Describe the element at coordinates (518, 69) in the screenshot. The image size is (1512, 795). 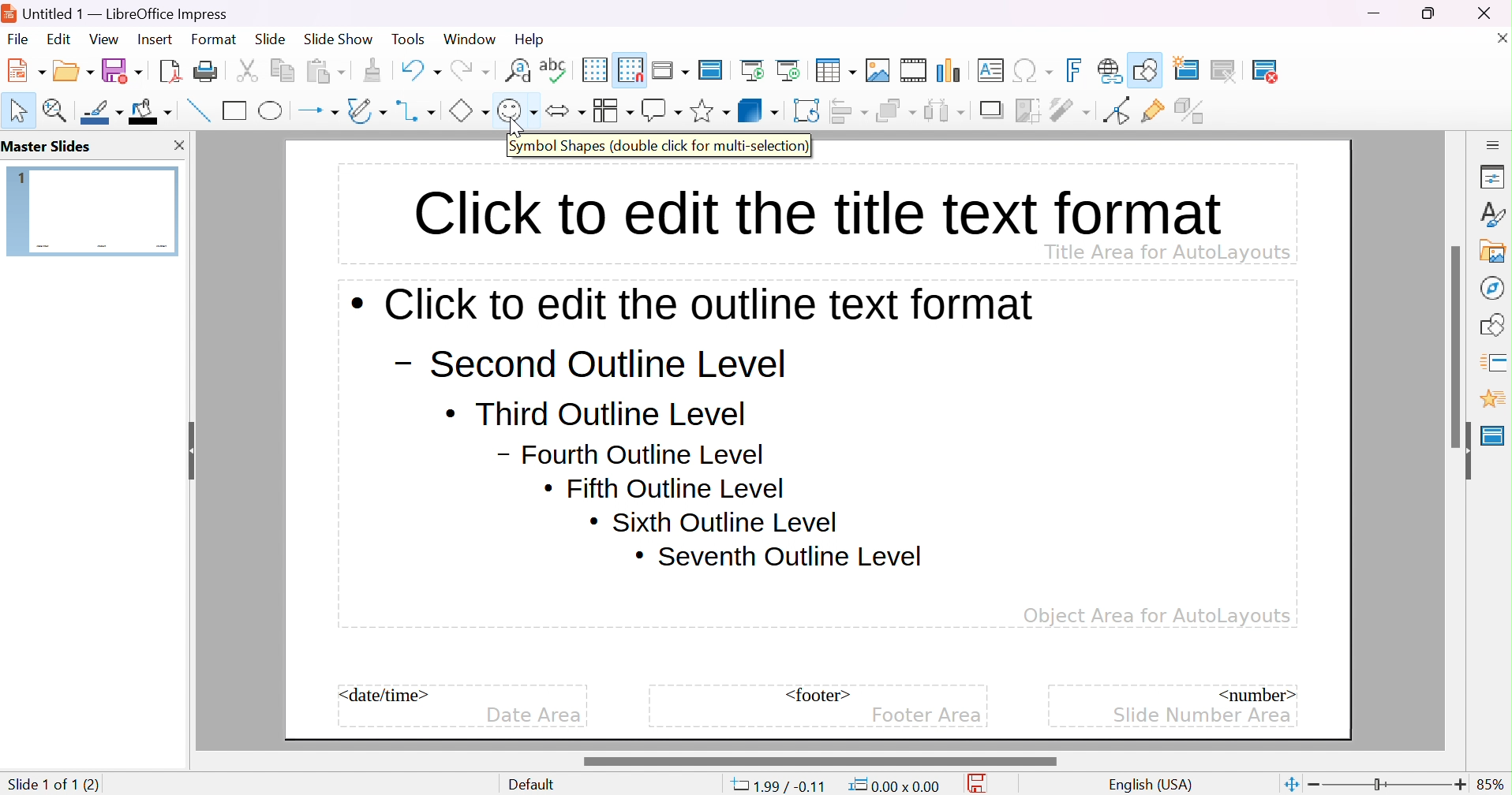
I see `find and replace` at that location.